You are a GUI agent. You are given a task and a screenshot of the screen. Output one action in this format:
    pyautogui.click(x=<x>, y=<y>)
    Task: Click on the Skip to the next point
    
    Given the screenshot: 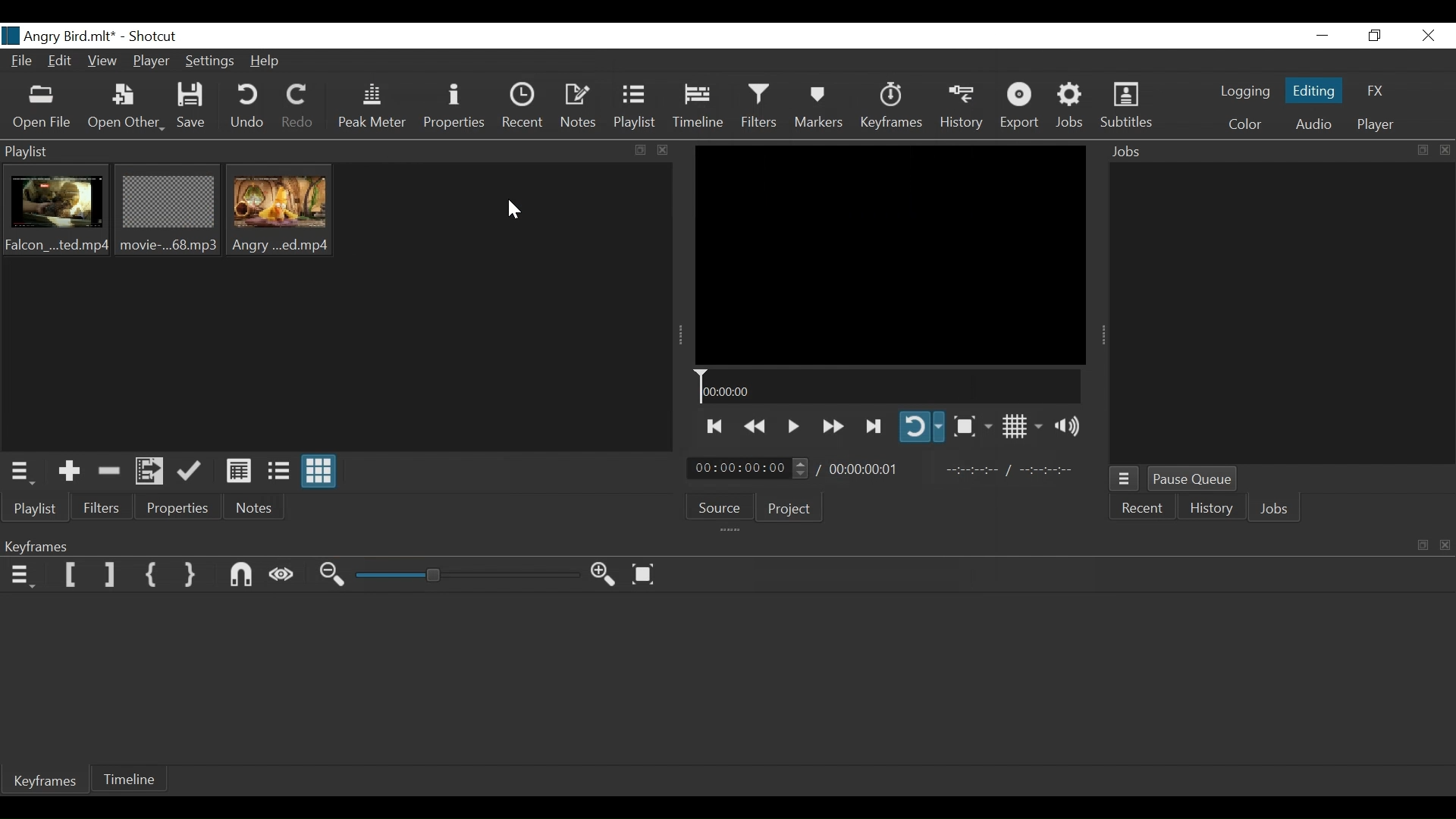 What is the action you would take?
    pyautogui.click(x=877, y=424)
    